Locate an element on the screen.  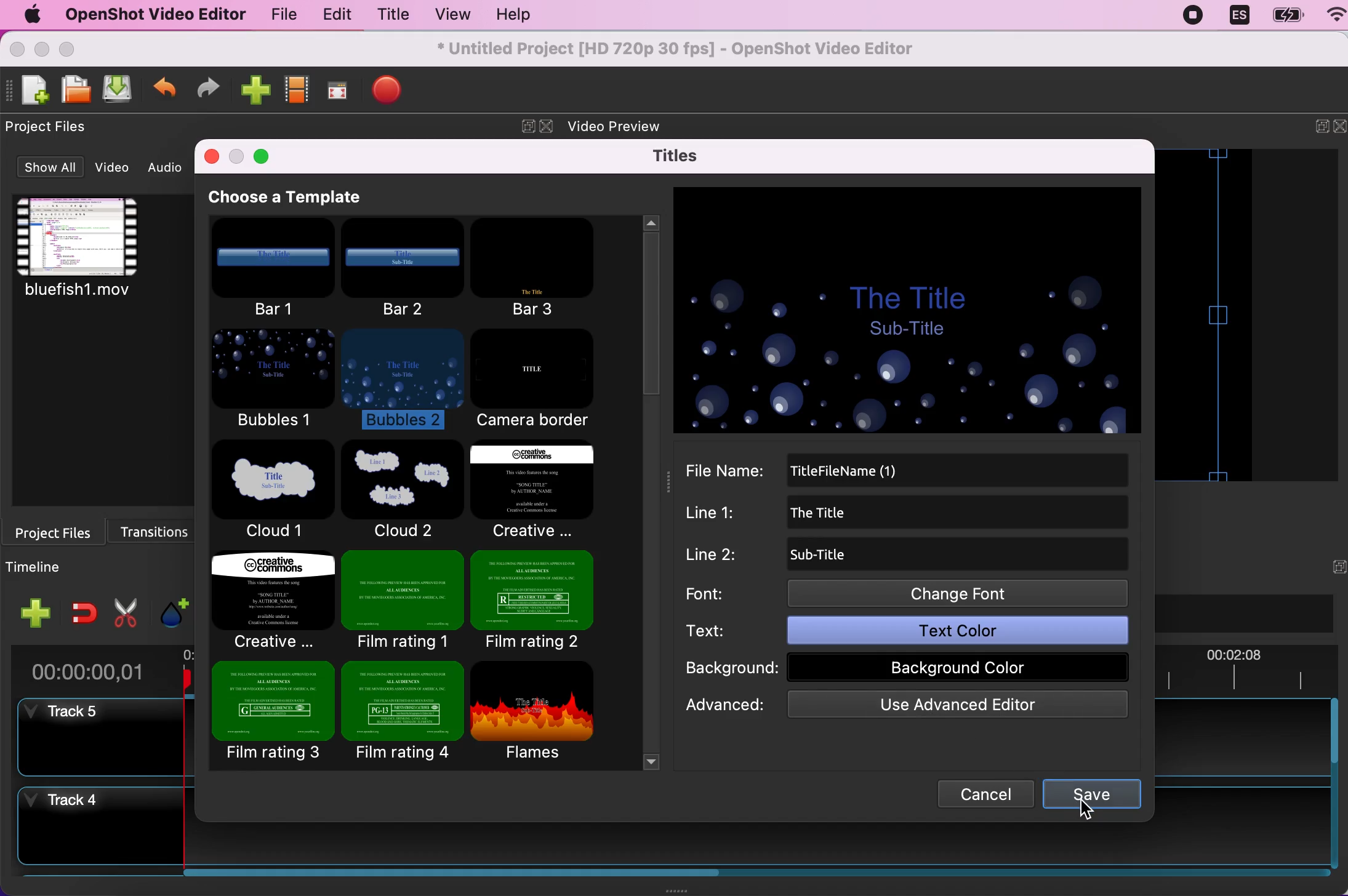
advanced: is located at coordinates (726, 705).